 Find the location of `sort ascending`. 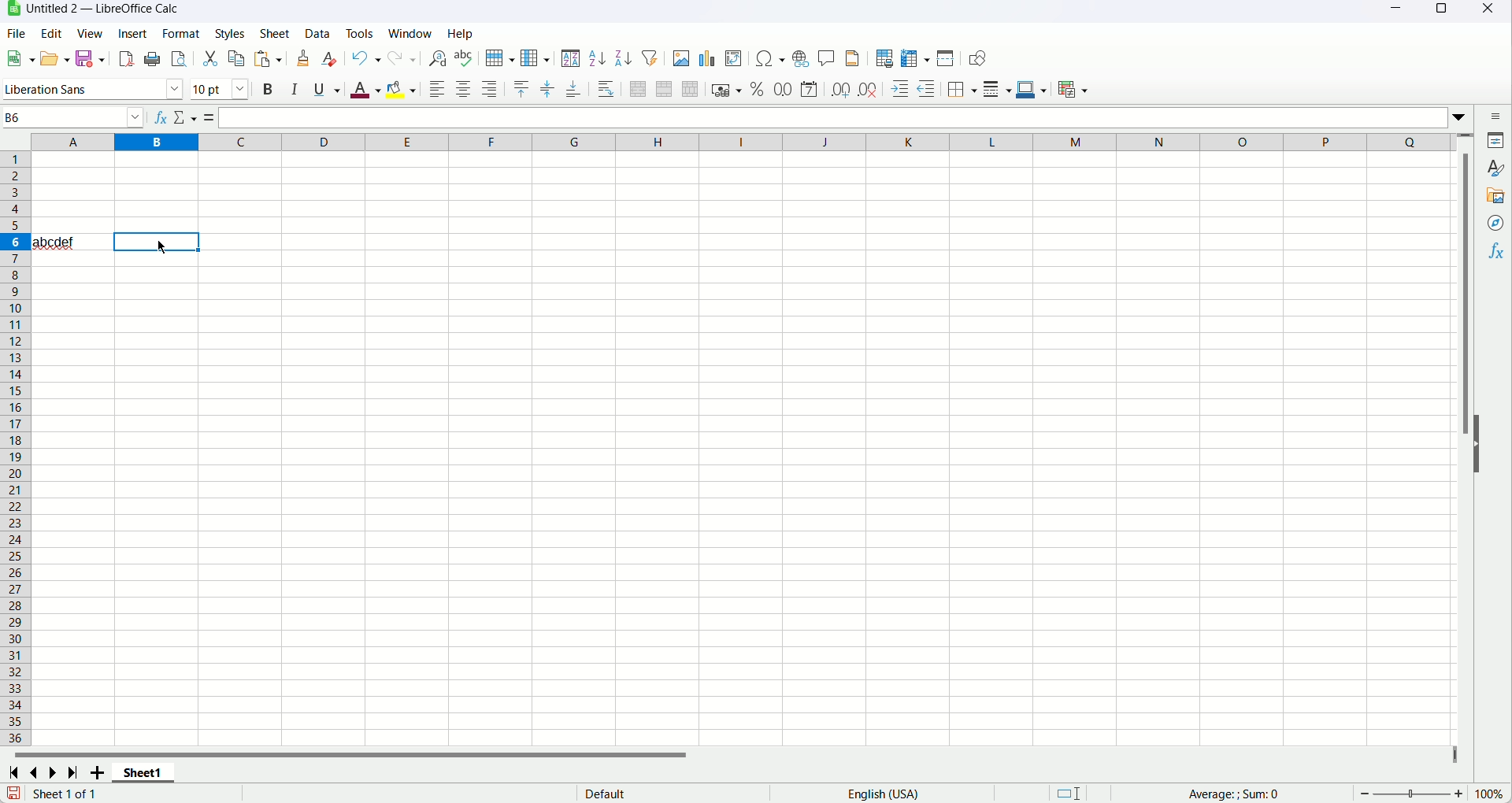

sort ascending is located at coordinates (597, 58).